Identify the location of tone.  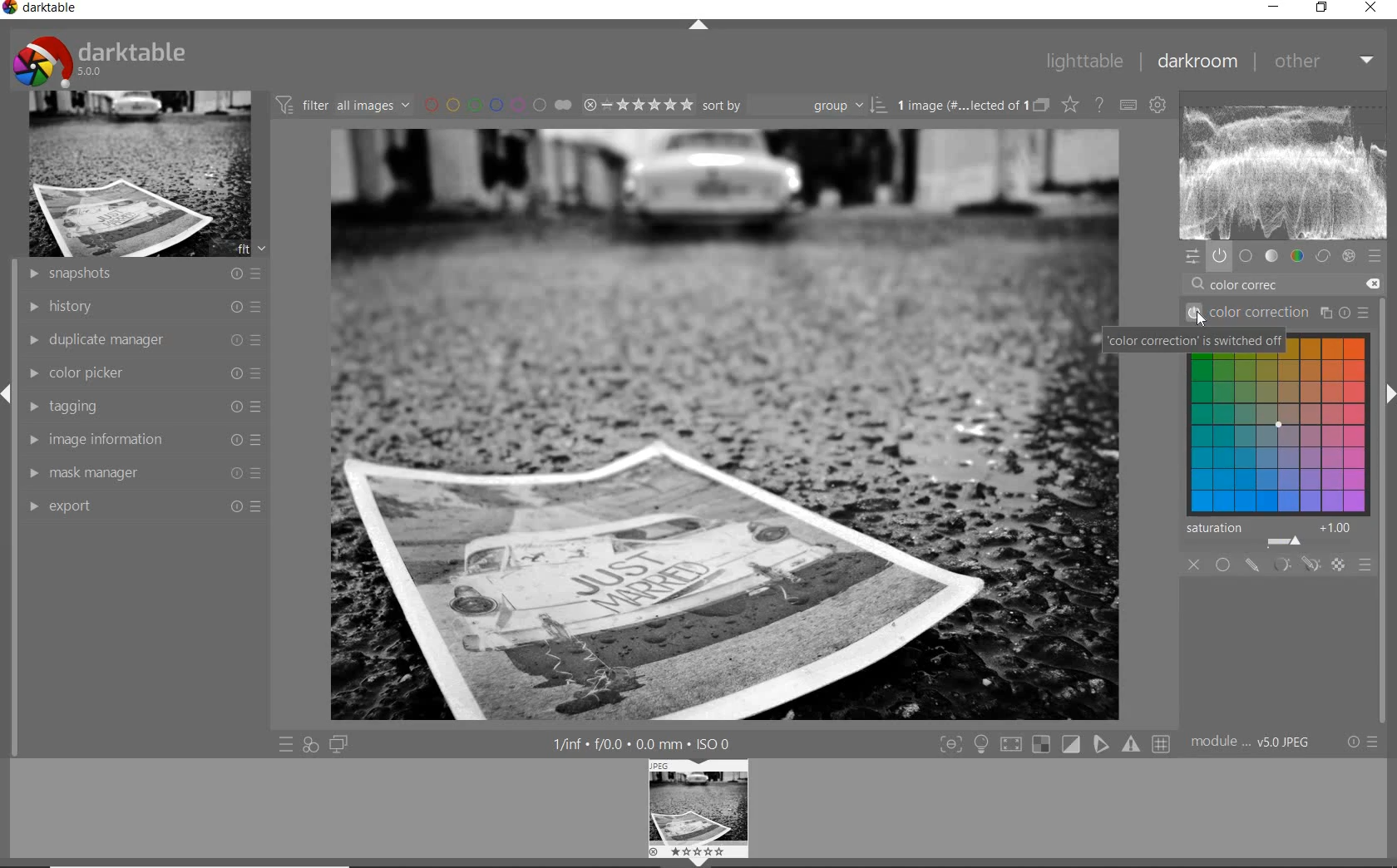
(1271, 256).